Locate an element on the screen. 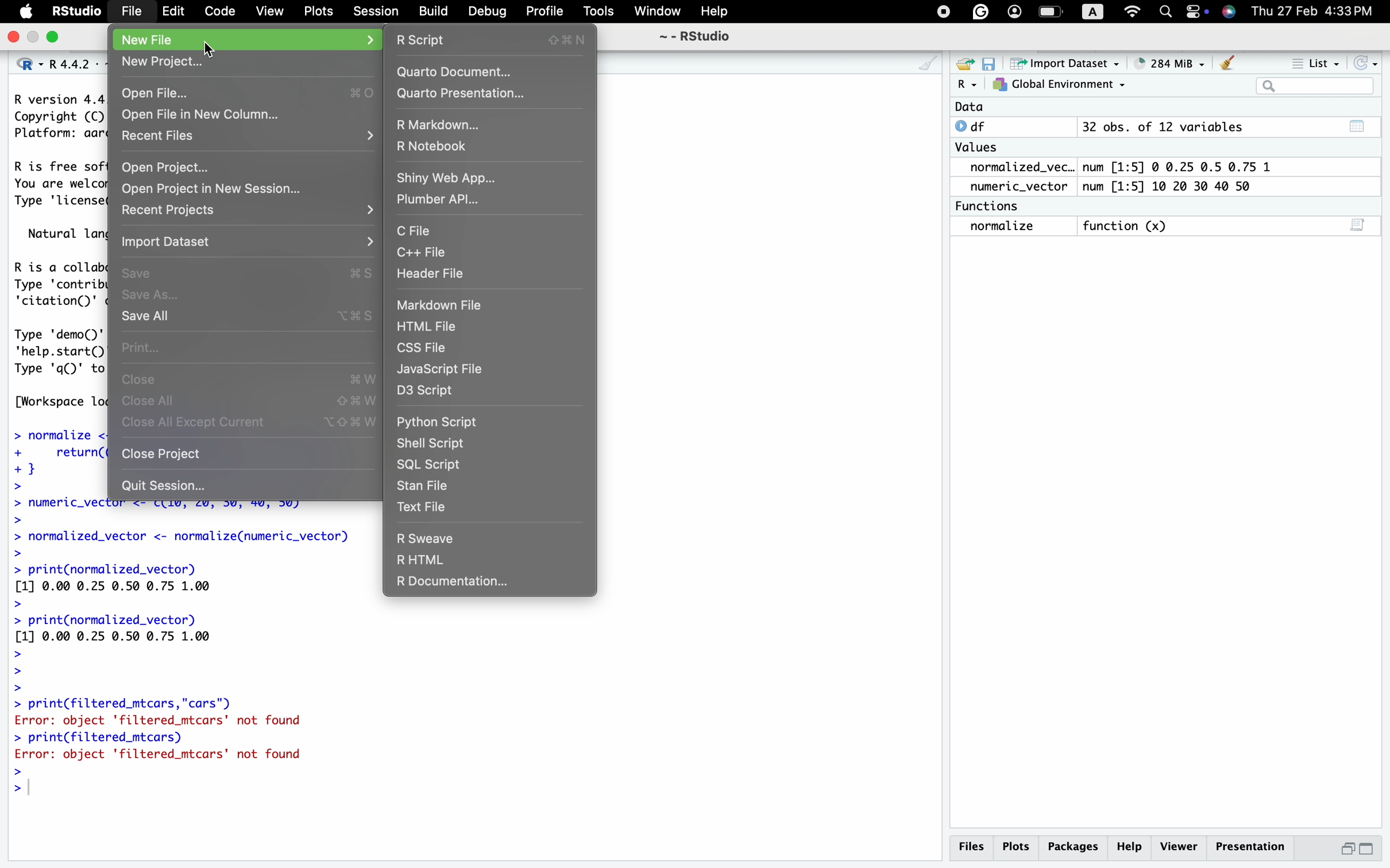 Image resolution: width=1390 pixels, height=868 pixels. search is located at coordinates (1166, 13).